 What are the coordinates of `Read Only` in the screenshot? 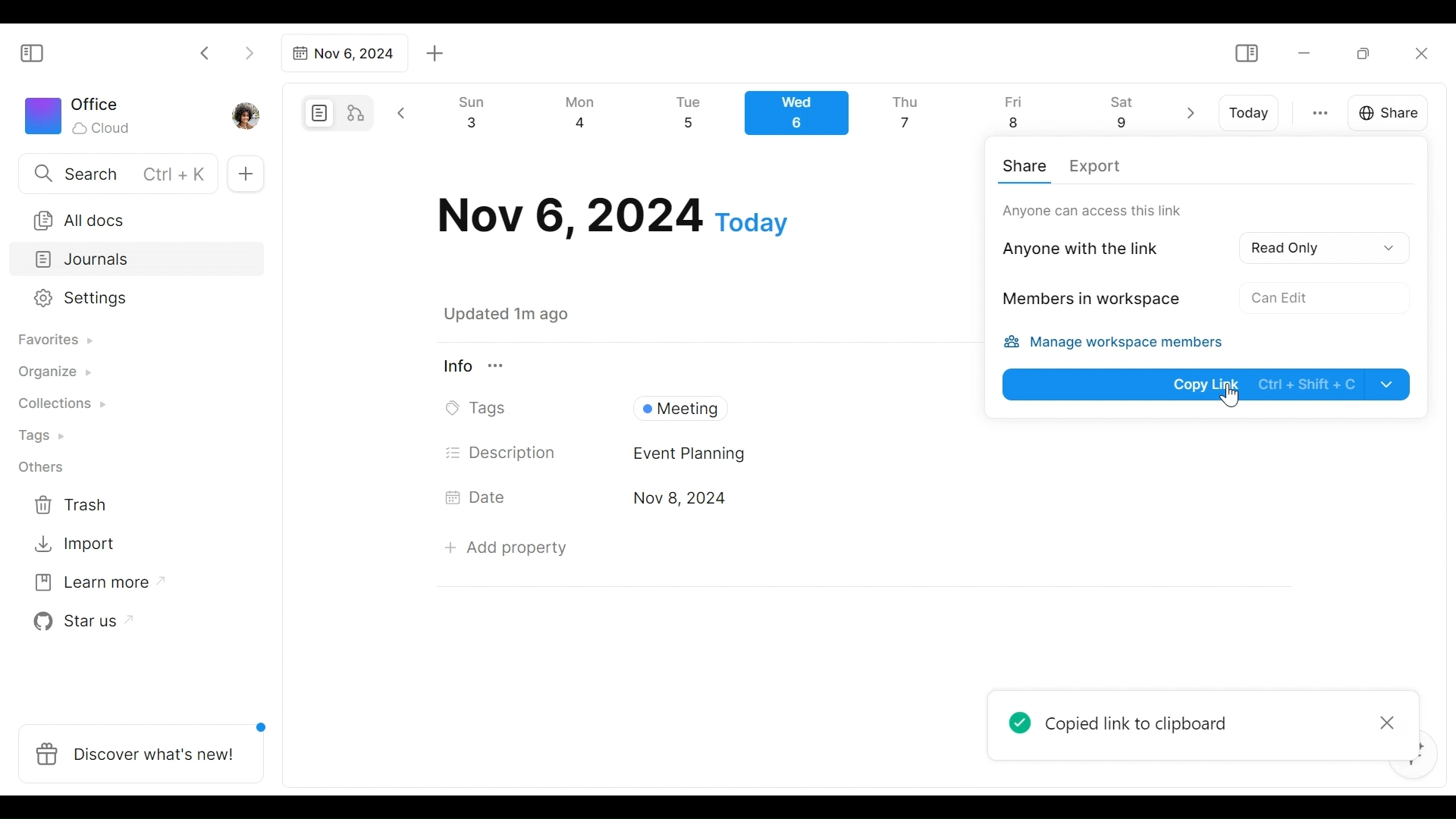 It's located at (1323, 248).